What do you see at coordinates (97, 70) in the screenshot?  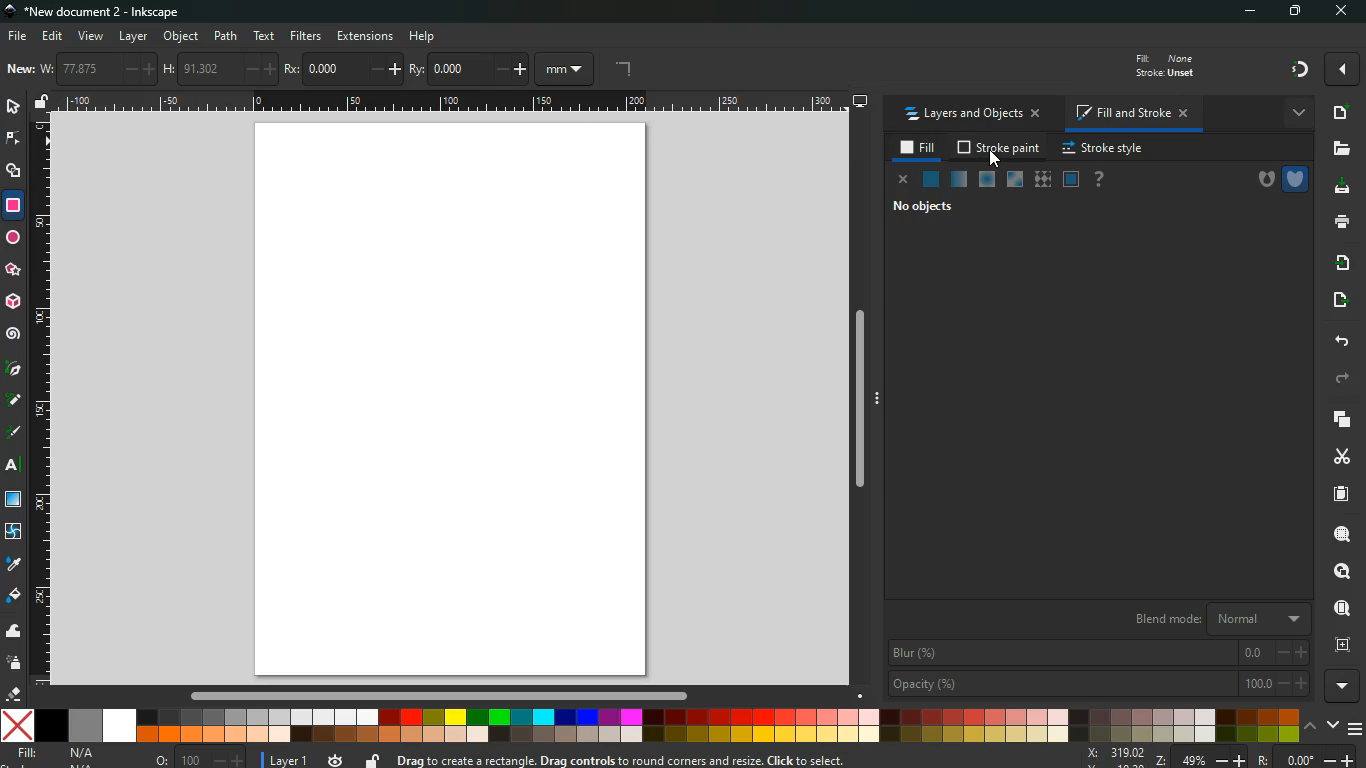 I see `w` at bounding box center [97, 70].